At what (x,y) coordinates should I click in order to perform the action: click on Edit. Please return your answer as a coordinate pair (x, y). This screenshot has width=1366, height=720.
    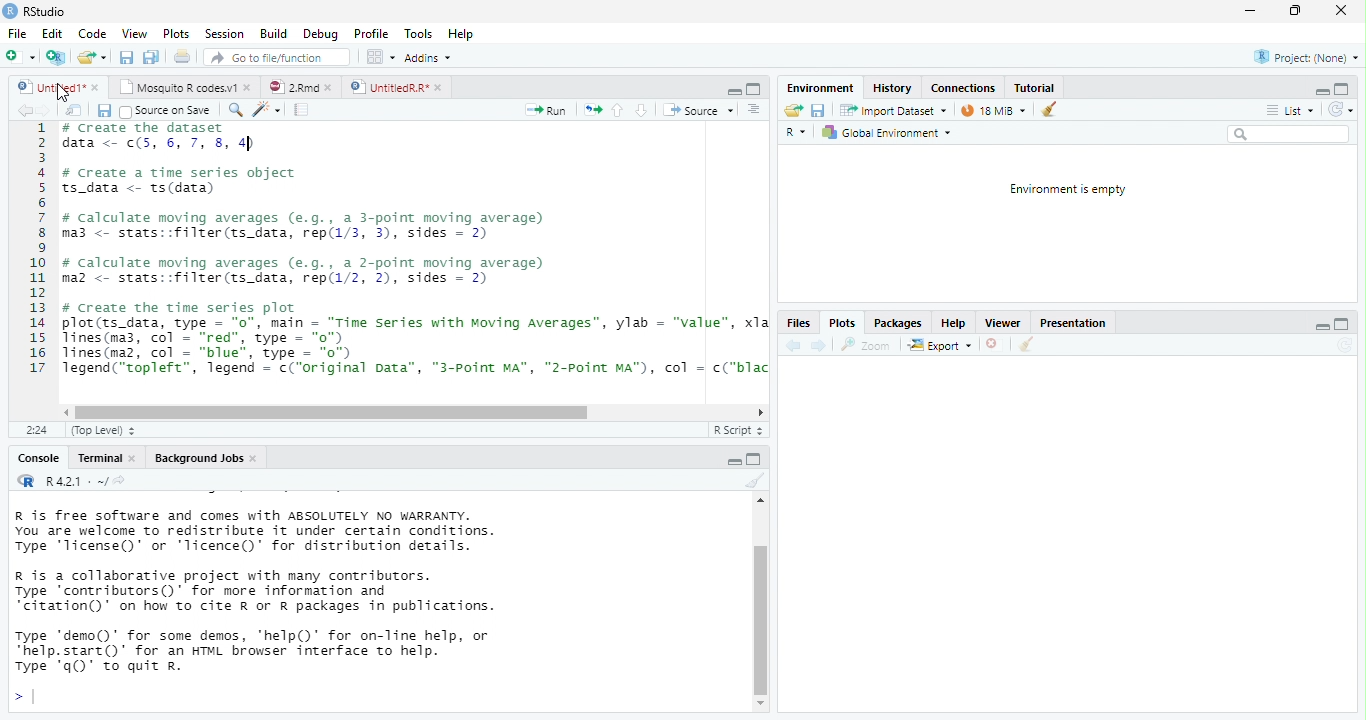
    Looking at the image, I should click on (52, 33).